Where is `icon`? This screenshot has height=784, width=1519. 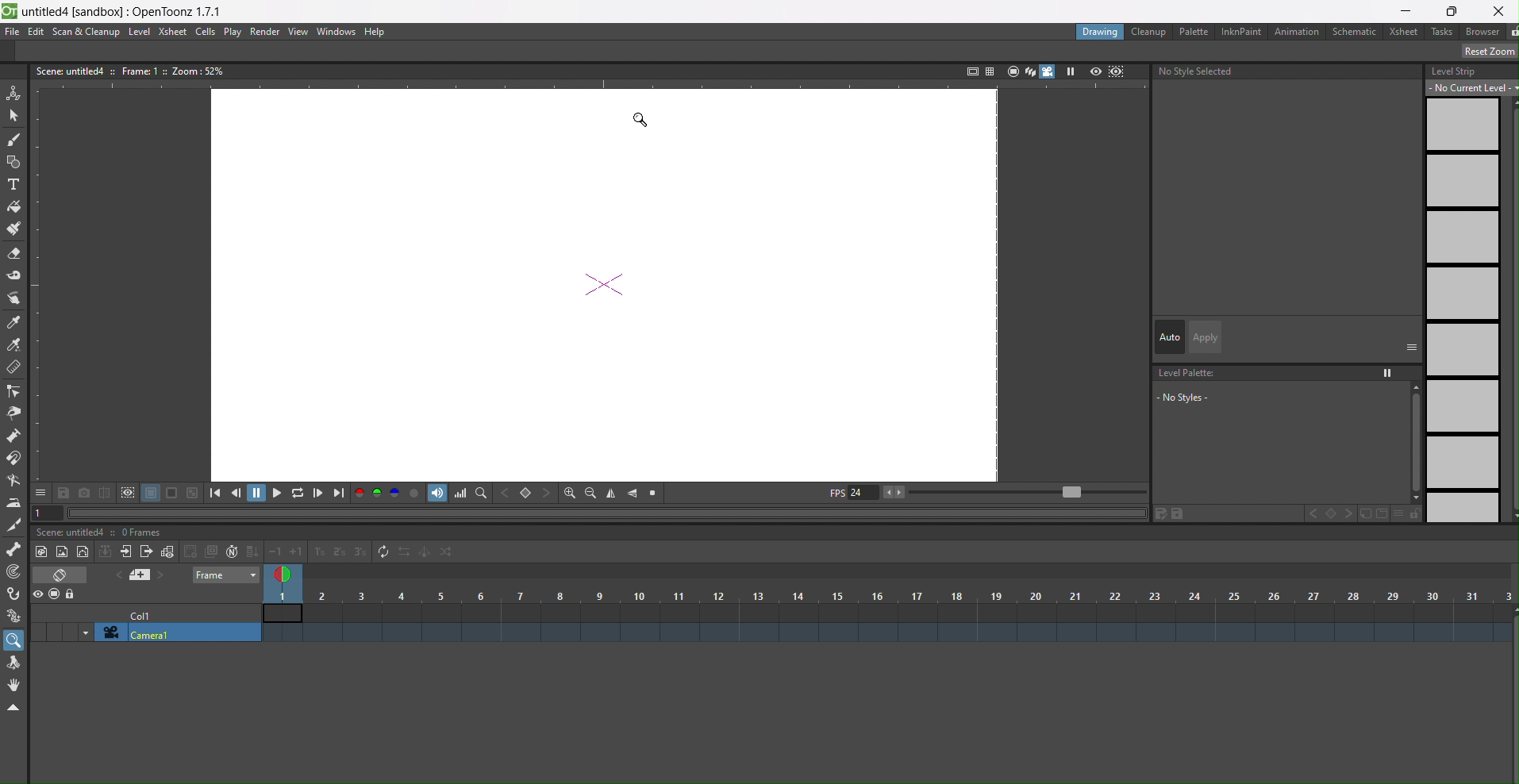
icon is located at coordinates (62, 576).